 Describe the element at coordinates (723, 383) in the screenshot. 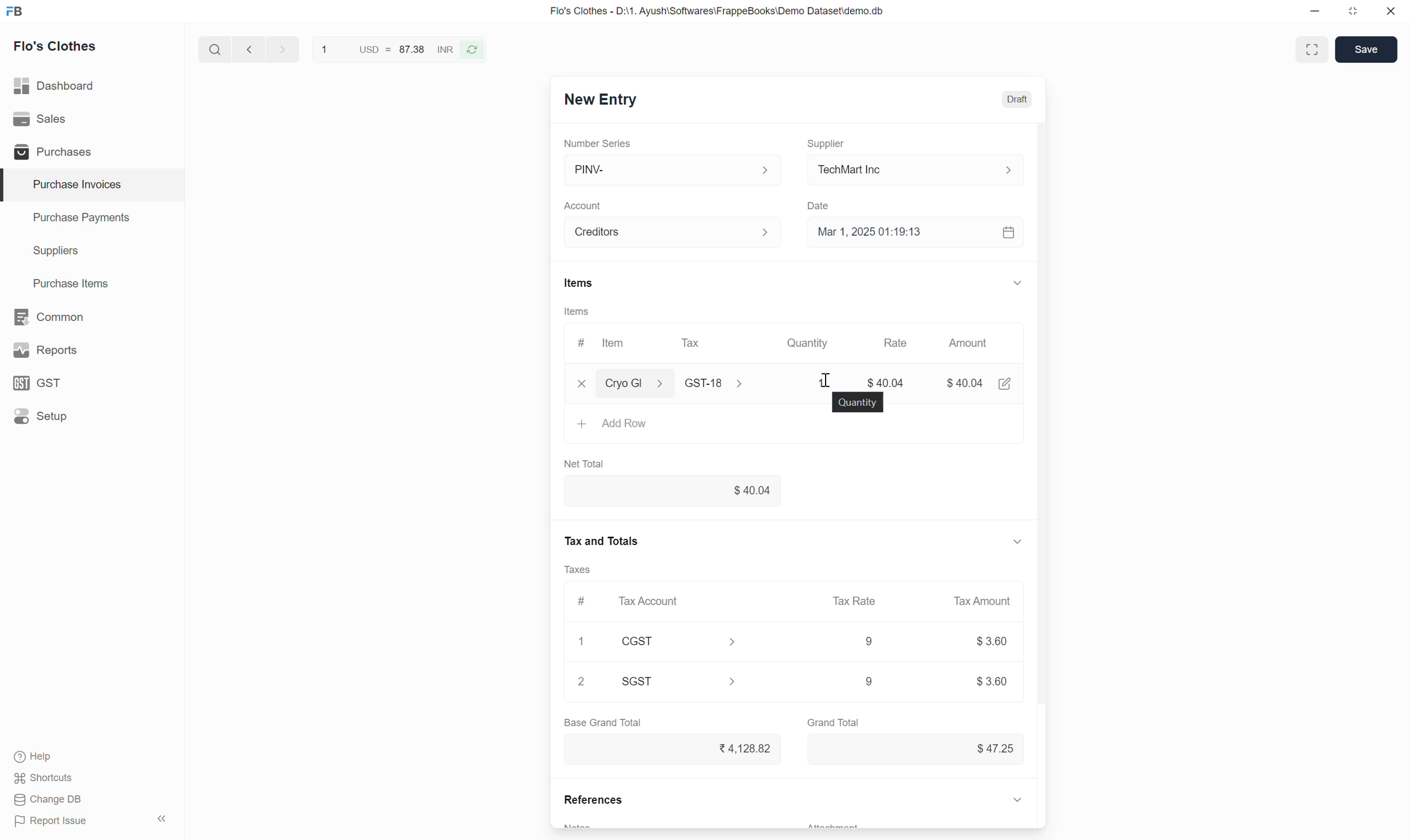

I see `GST-18` at that location.